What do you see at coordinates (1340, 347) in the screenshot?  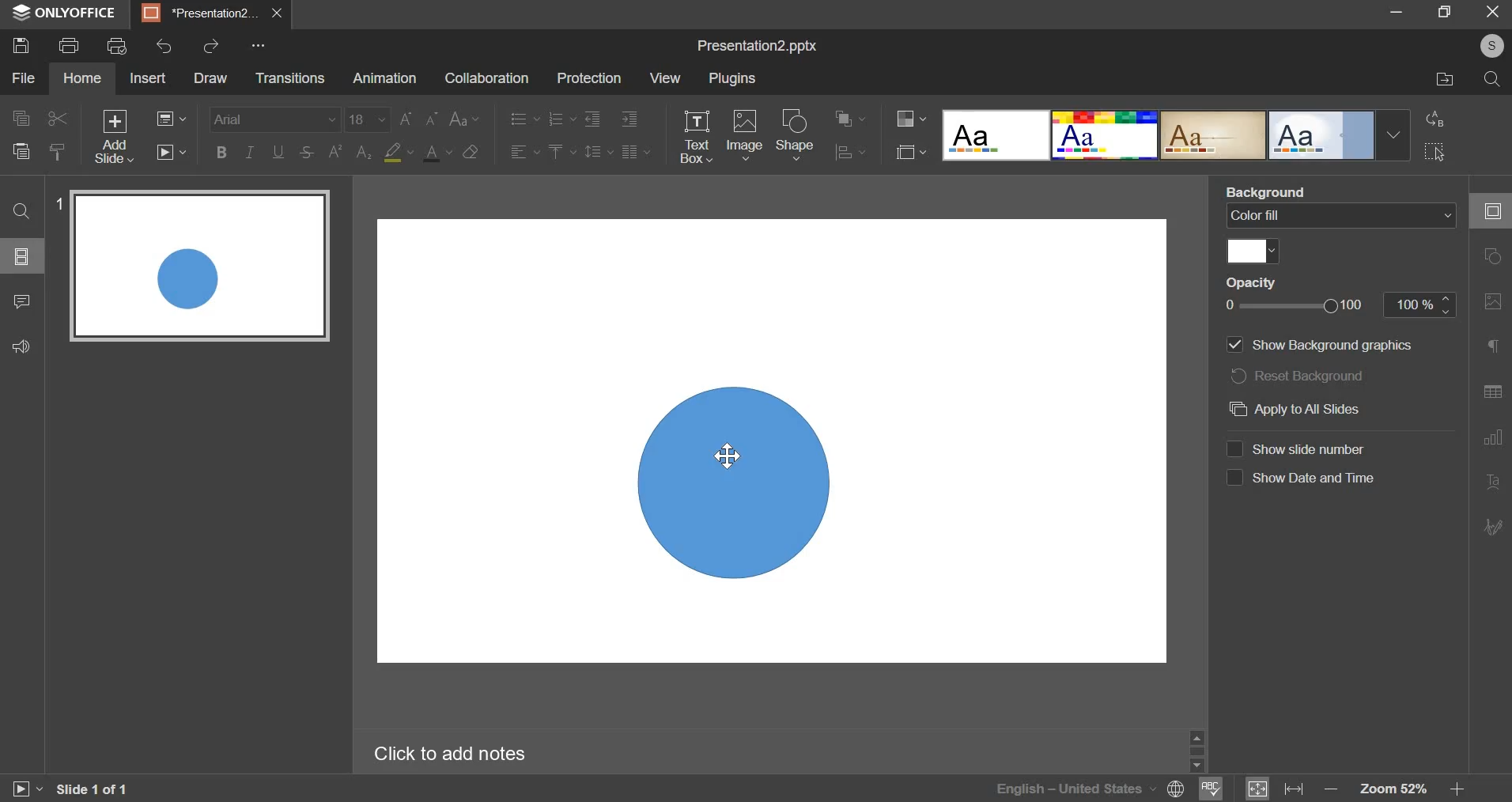 I see `‘Show Background graphics` at bounding box center [1340, 347].